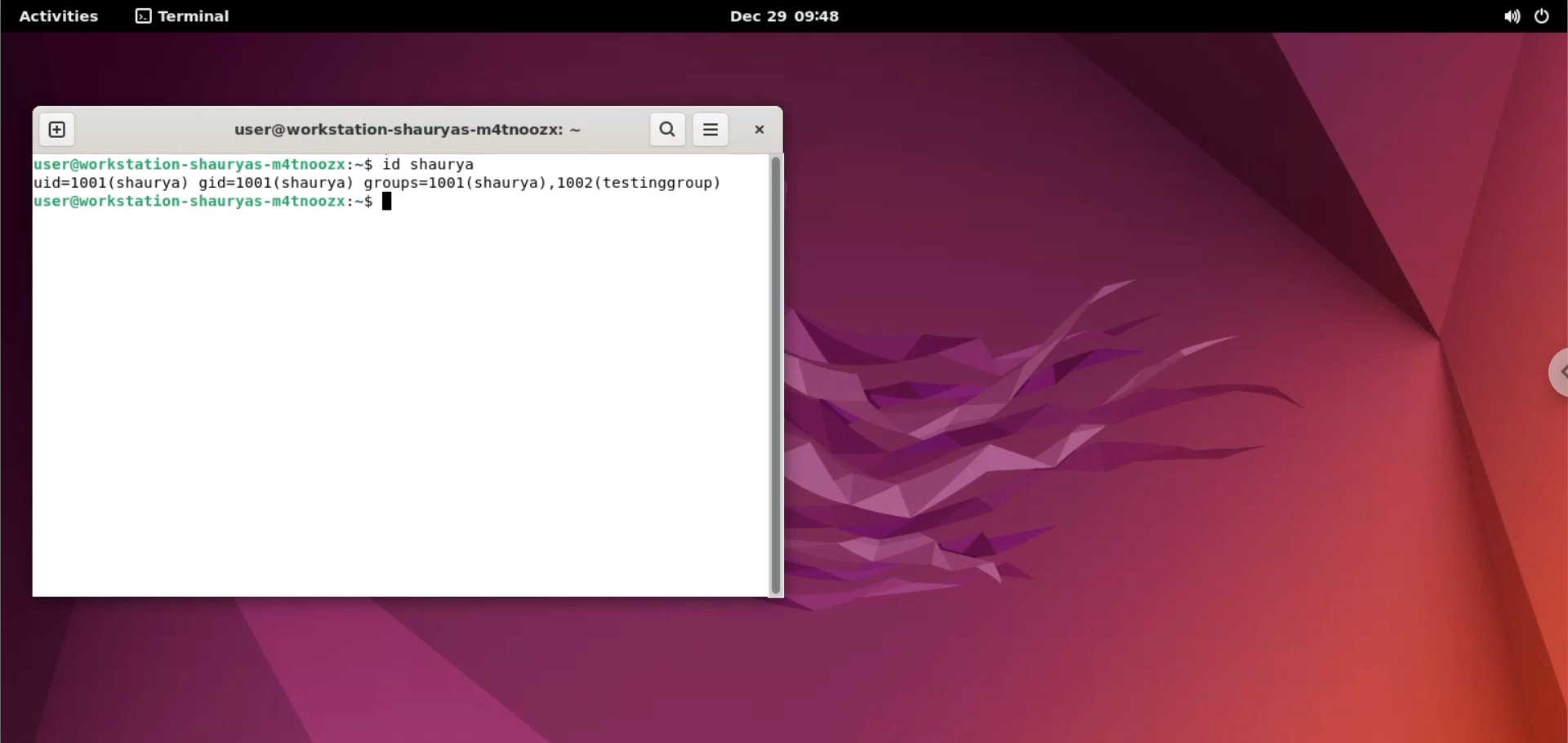 Image resolution: width=1568 pixels, height=743 pixels. Describe the element at coordinates (803, 16) in the screenshot. I see `Dec 29 09:48` at that location.